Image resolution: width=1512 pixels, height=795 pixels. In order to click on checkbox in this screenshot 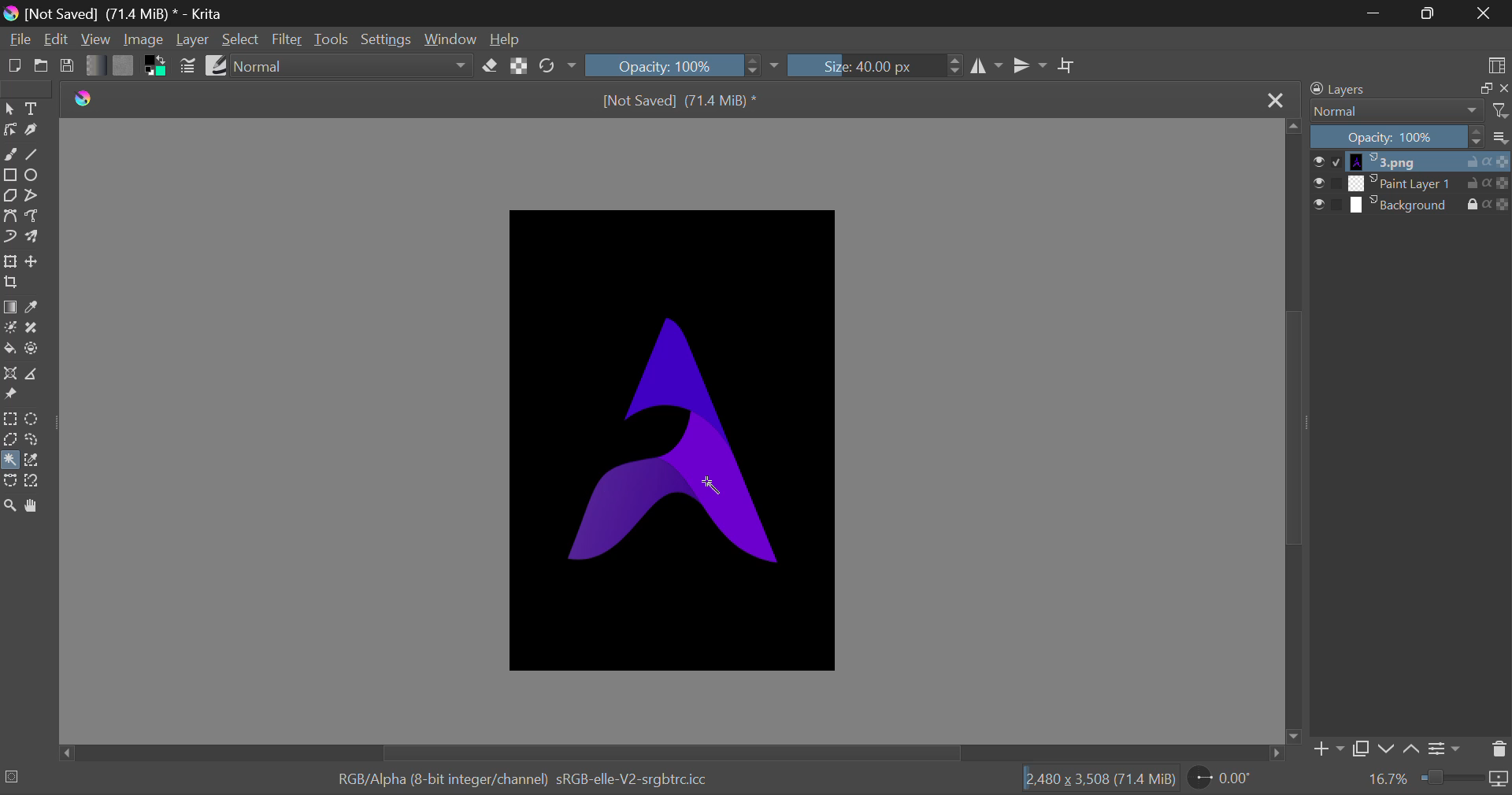, I will do `click(1326, 183)`.